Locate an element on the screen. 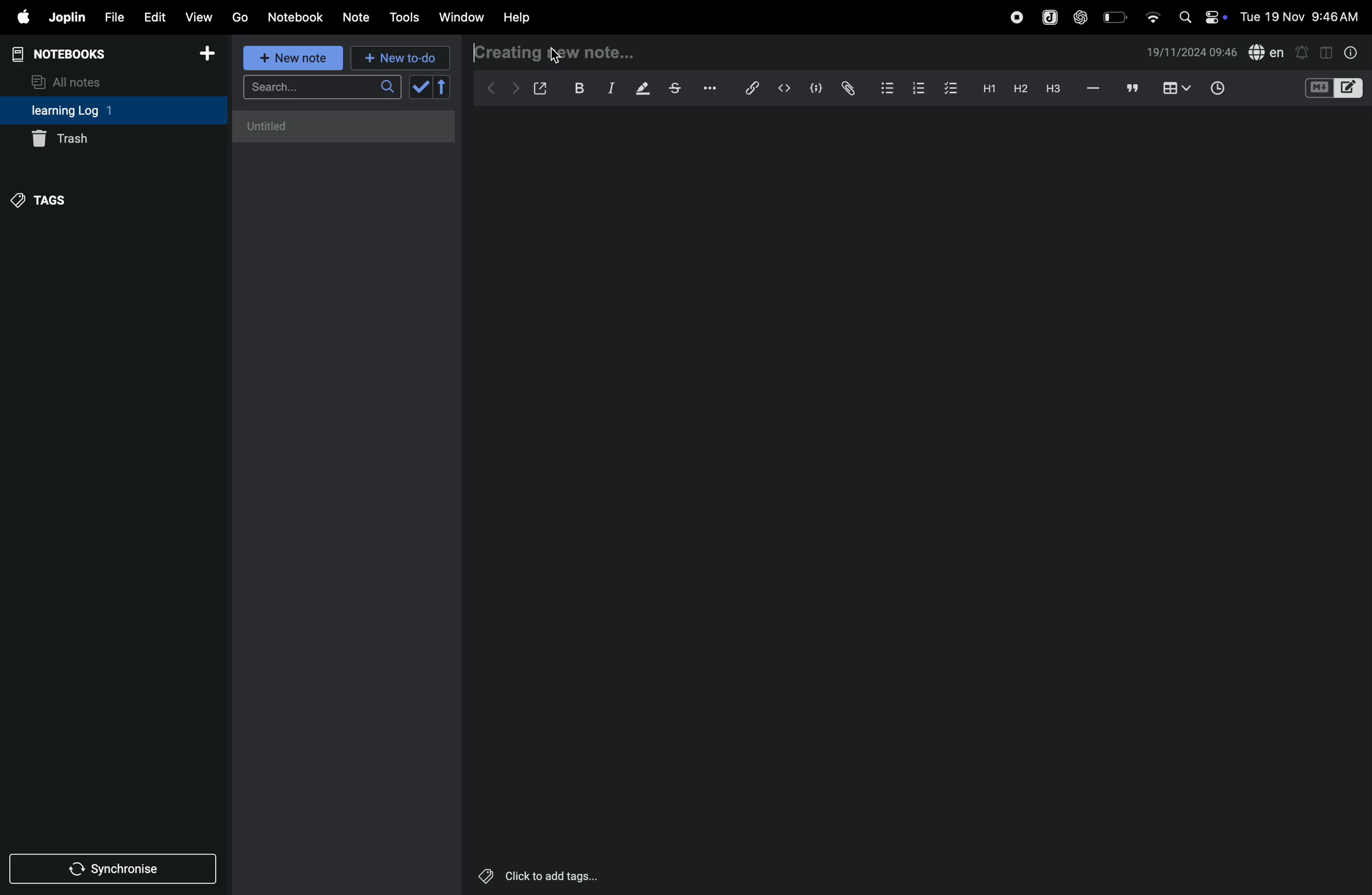 The width and height of the screenshot is (1372, 895). add time is located at coordinates (1231, 89).